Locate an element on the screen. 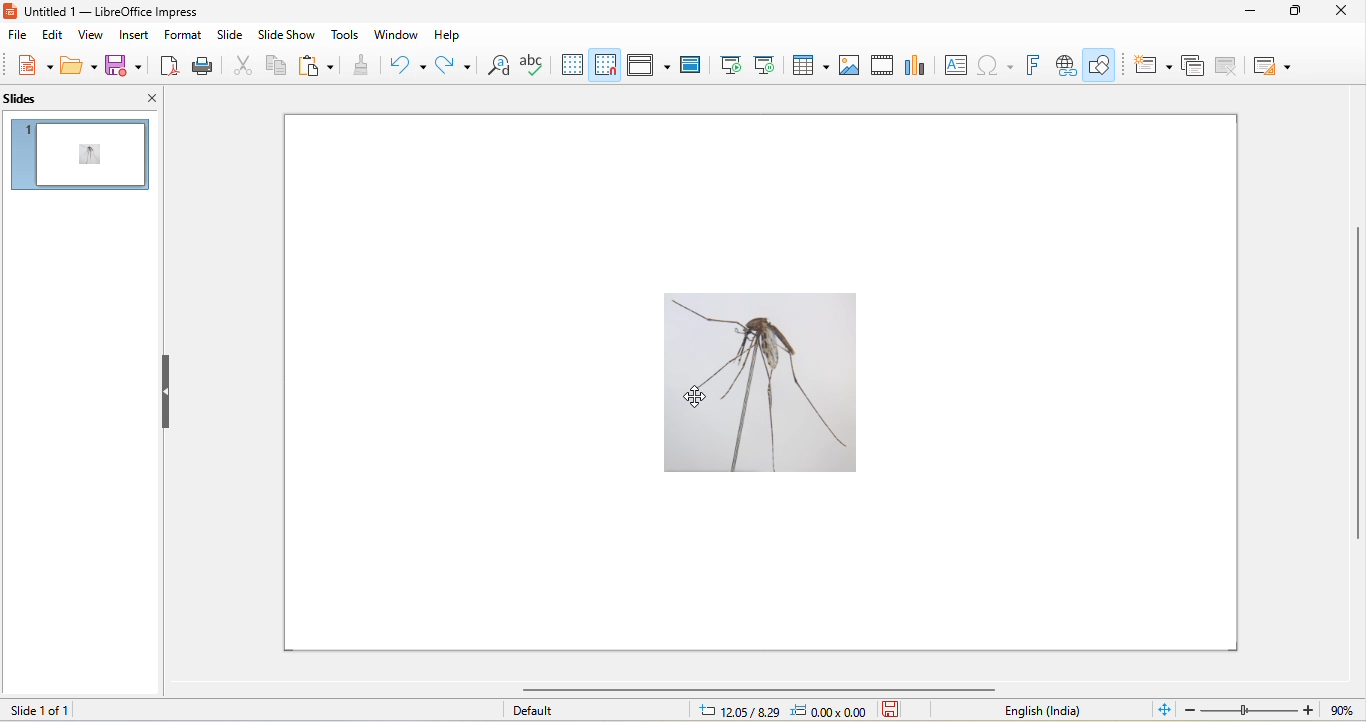  Untitled 1 — LibreOffice Impress is located at coordinates (118, 13).